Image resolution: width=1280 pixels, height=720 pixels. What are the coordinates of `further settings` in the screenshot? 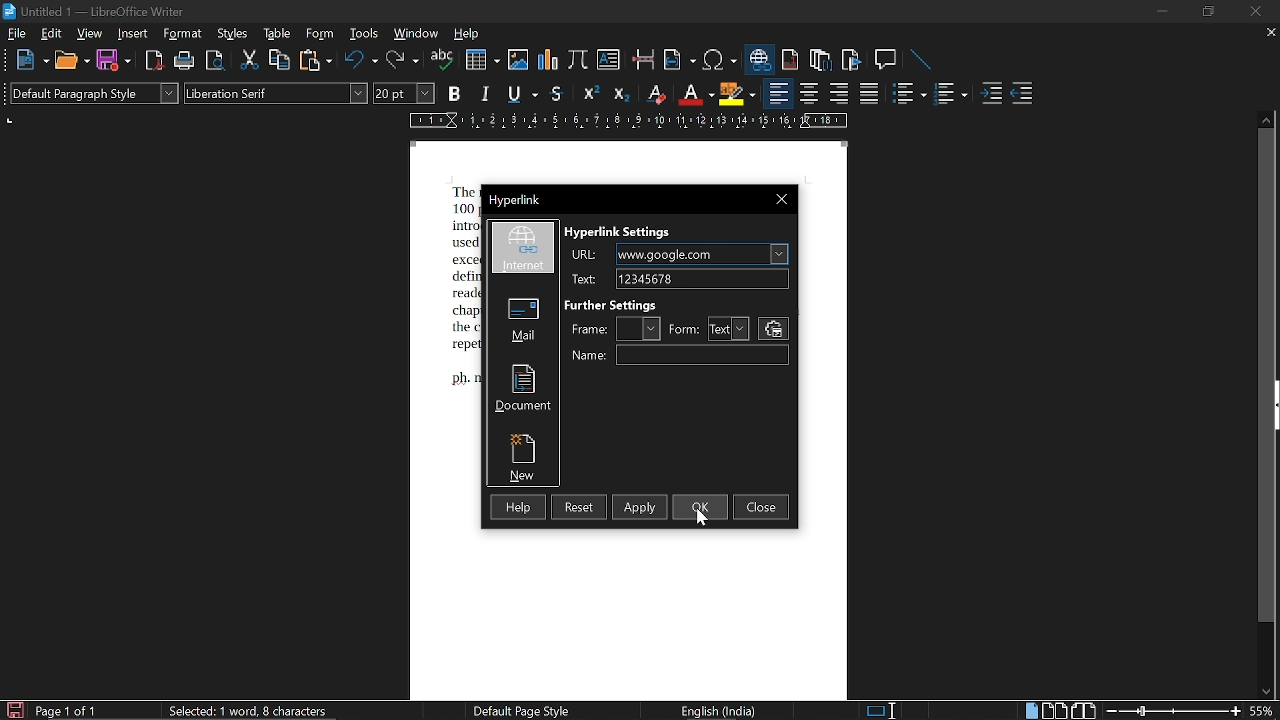 It's located at (616, 304).